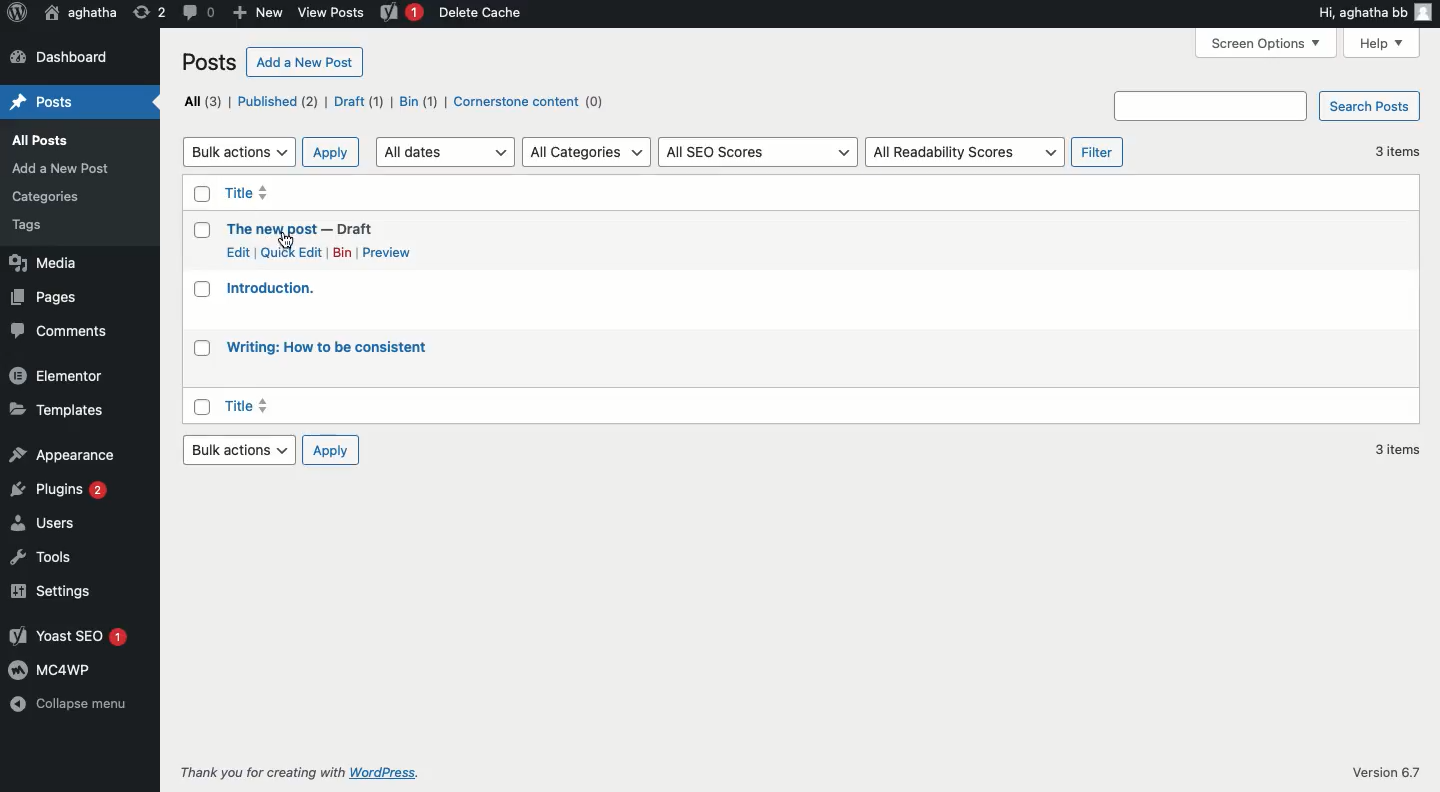 Image resolution: width=1440 pixels, height=792 pixels. Describe the element at coordinates (403, 12) in the screenshot. I see `Yoast` at that location.